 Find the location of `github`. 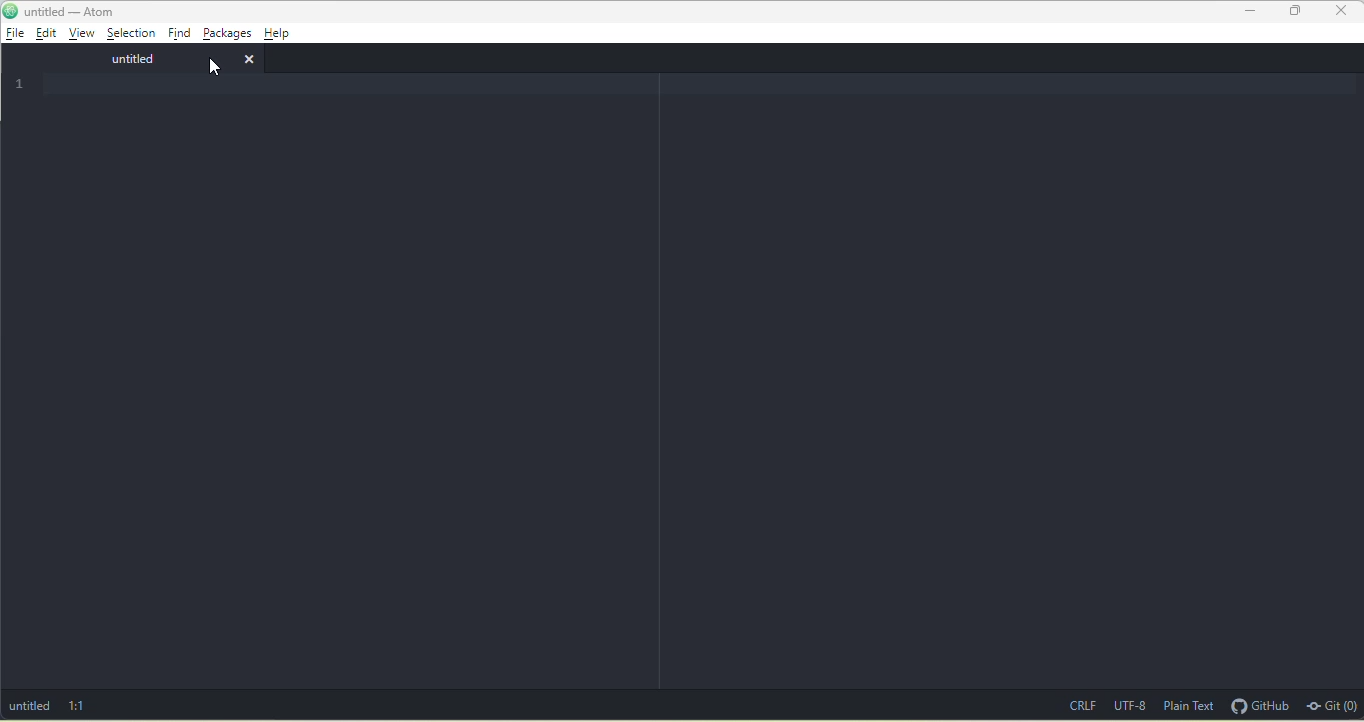

github is located at coordinates (1259, 705).